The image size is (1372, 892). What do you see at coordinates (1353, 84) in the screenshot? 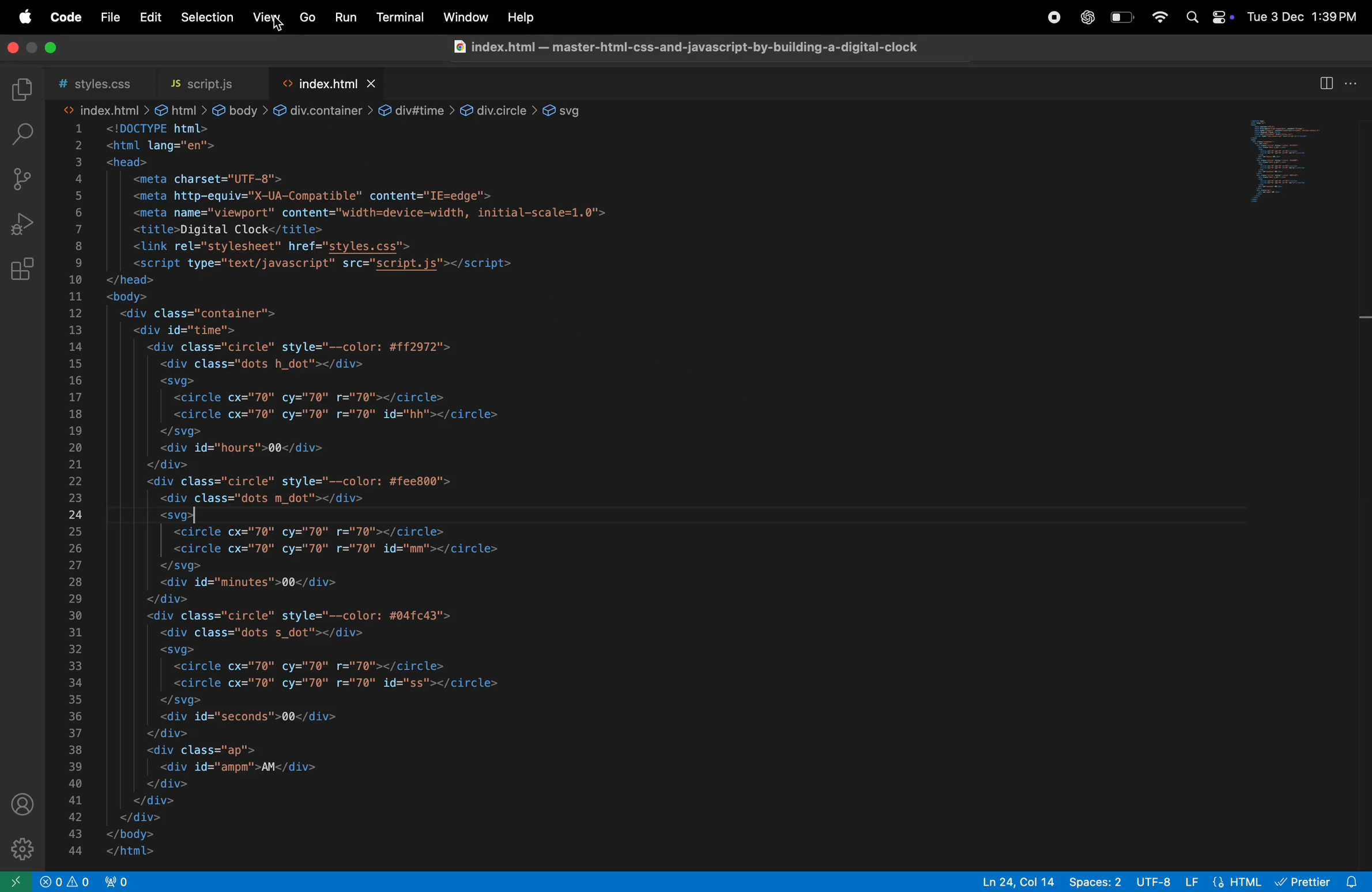
I see `more actions` at bounding box center [1353, 84].